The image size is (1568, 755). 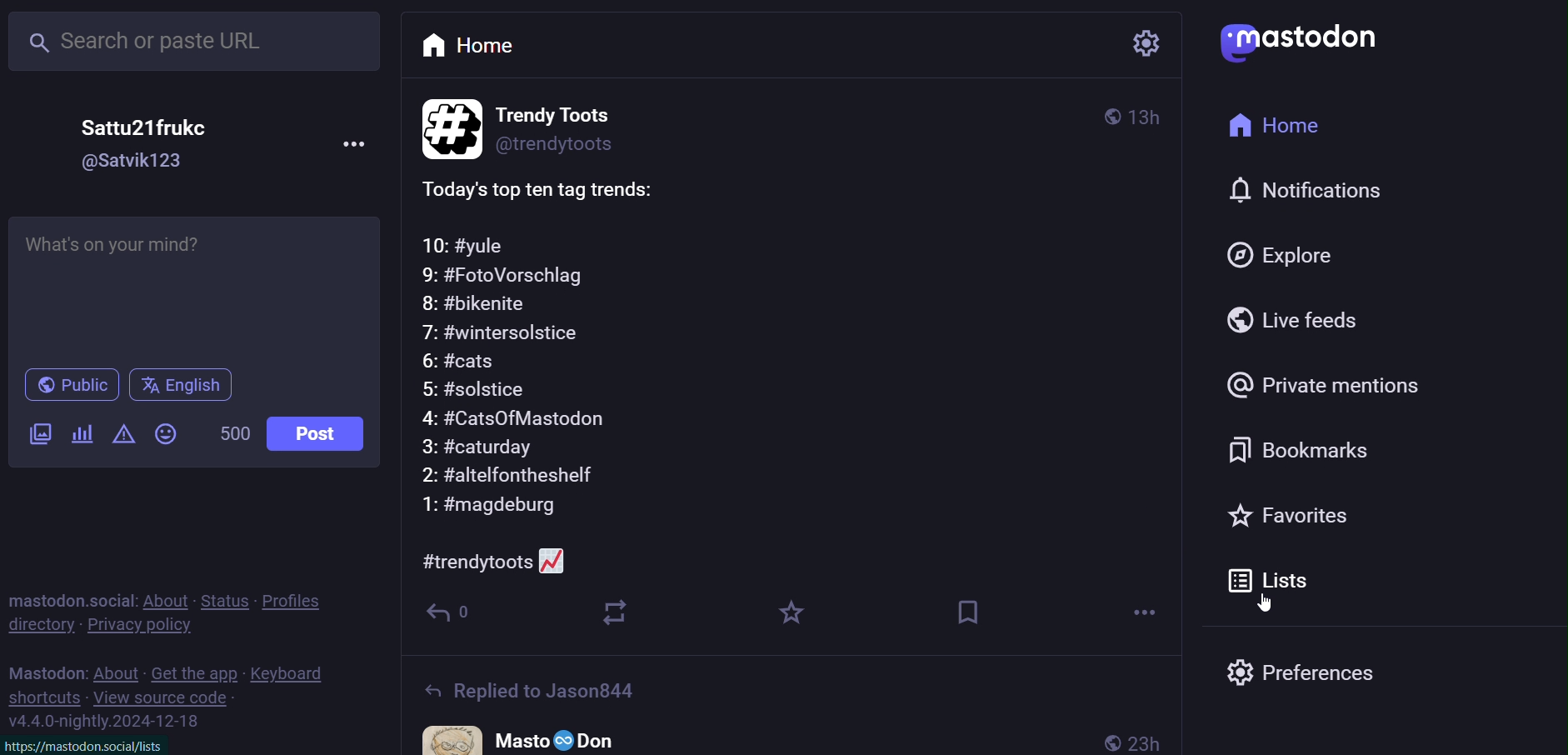 I want to click on private mention, so click(x=1328, y=387).